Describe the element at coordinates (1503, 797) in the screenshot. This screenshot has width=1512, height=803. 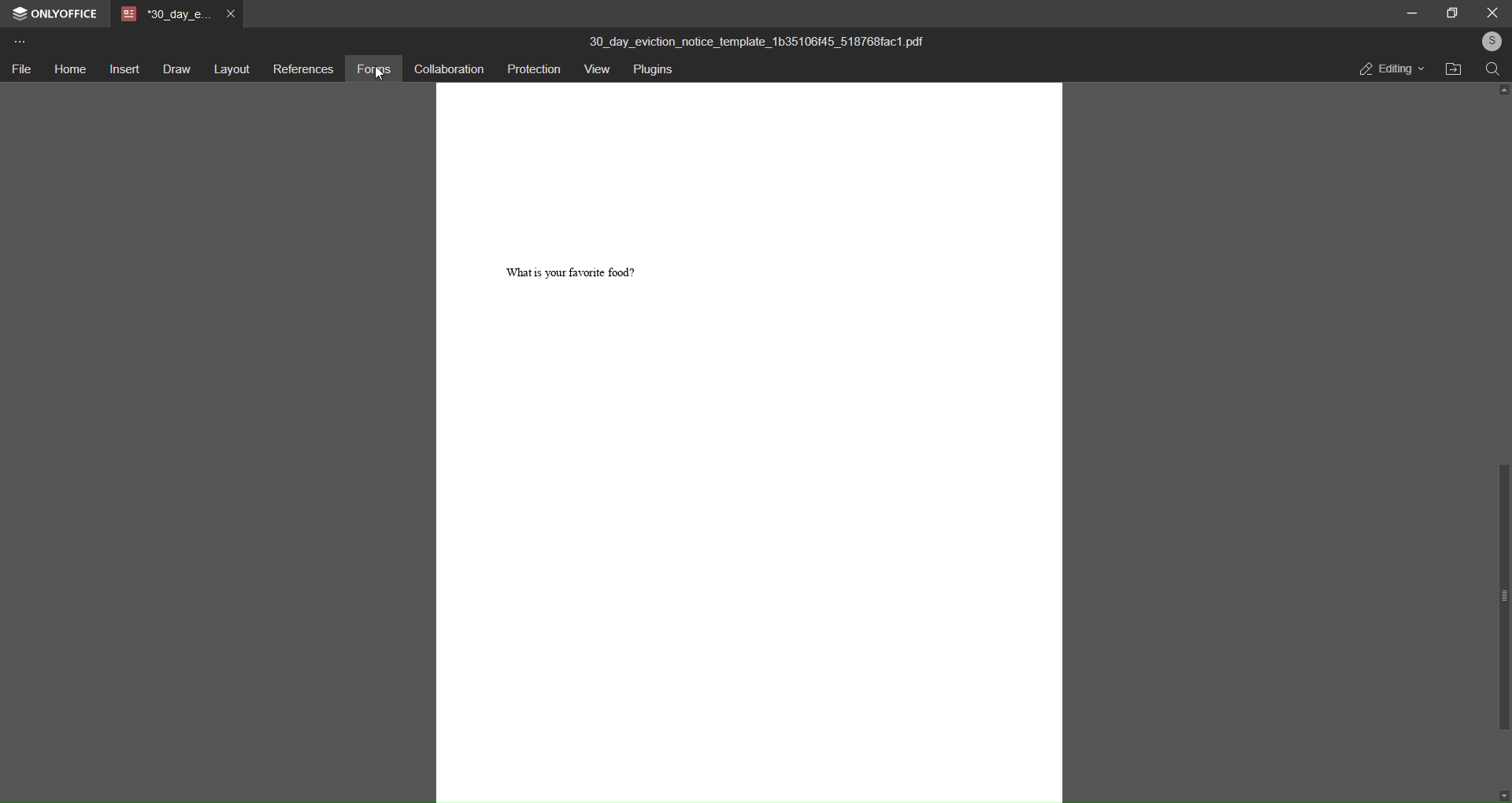
I see `down` at that location.